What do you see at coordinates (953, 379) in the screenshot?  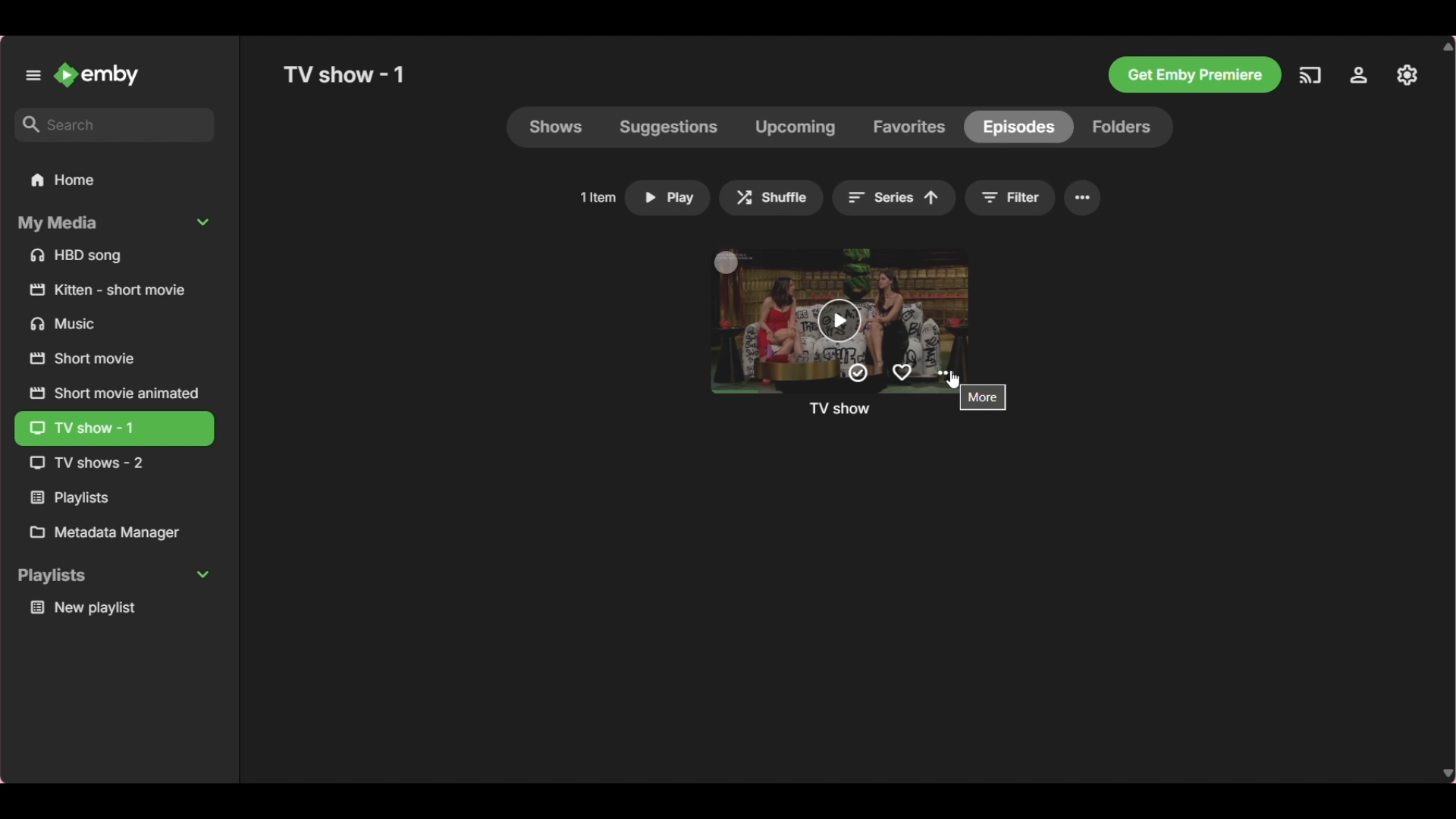 I see `Cursor` at bounding box center [953, 379].